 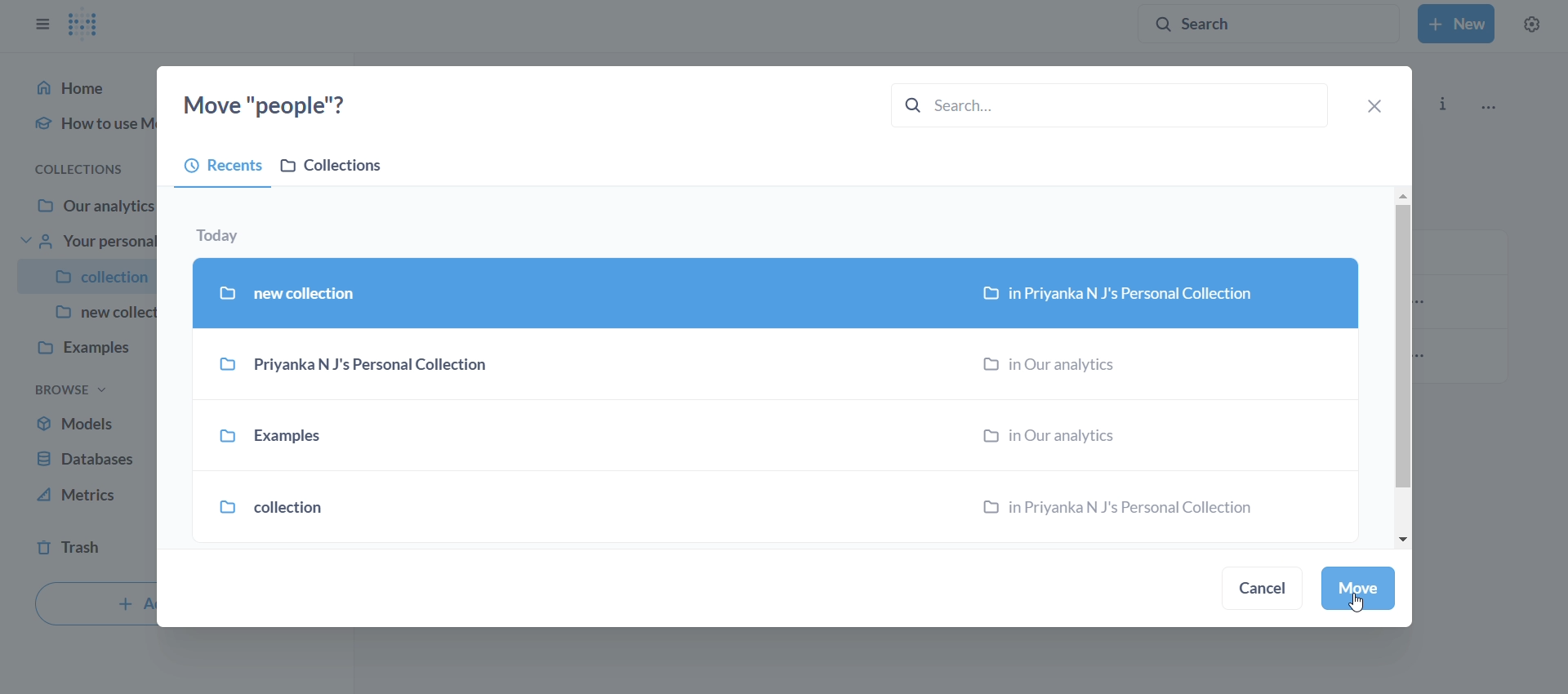 I want to click on Home, so click(x=76, y=87).